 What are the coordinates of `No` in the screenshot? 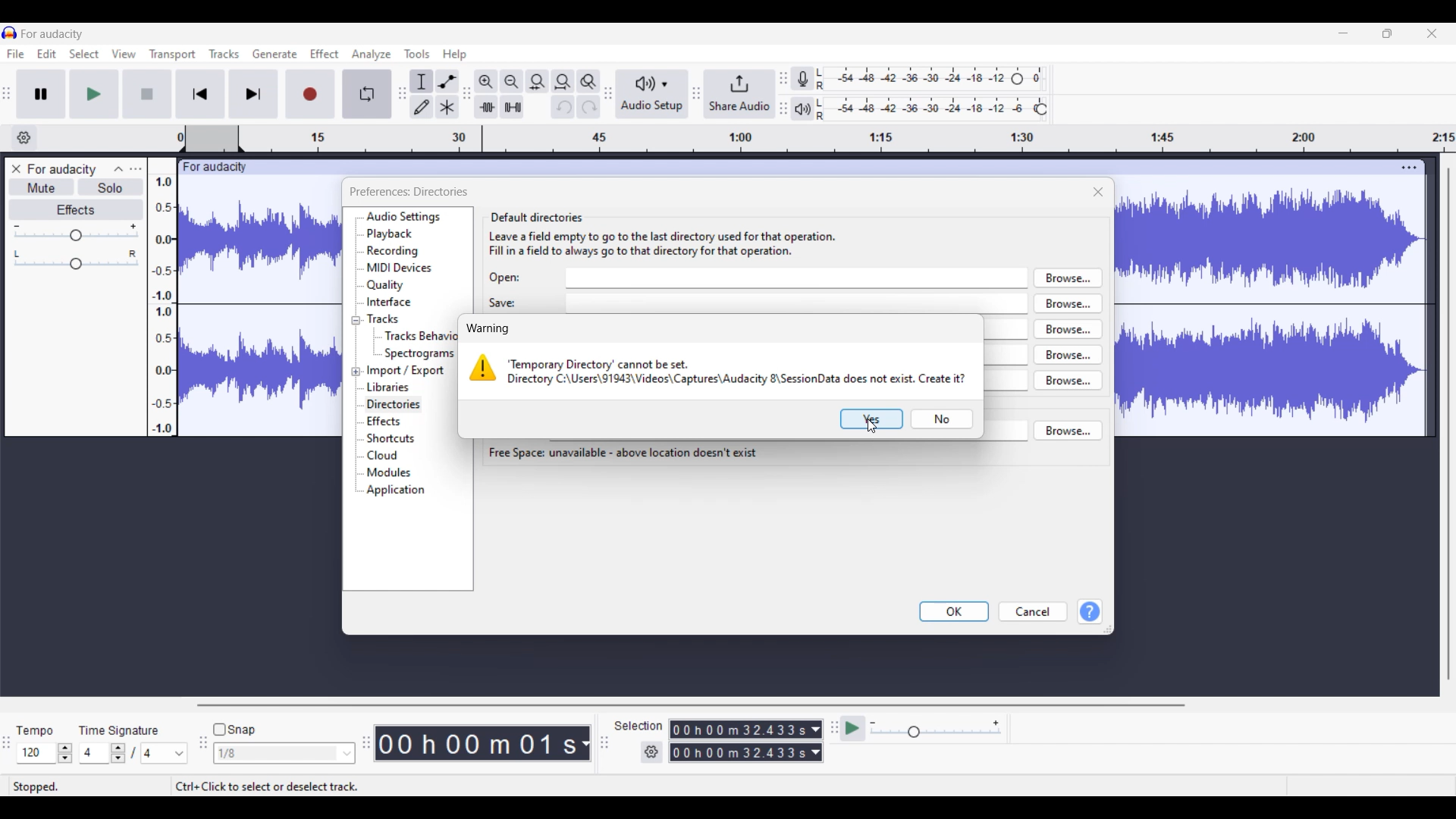 It's located at (943, 419).